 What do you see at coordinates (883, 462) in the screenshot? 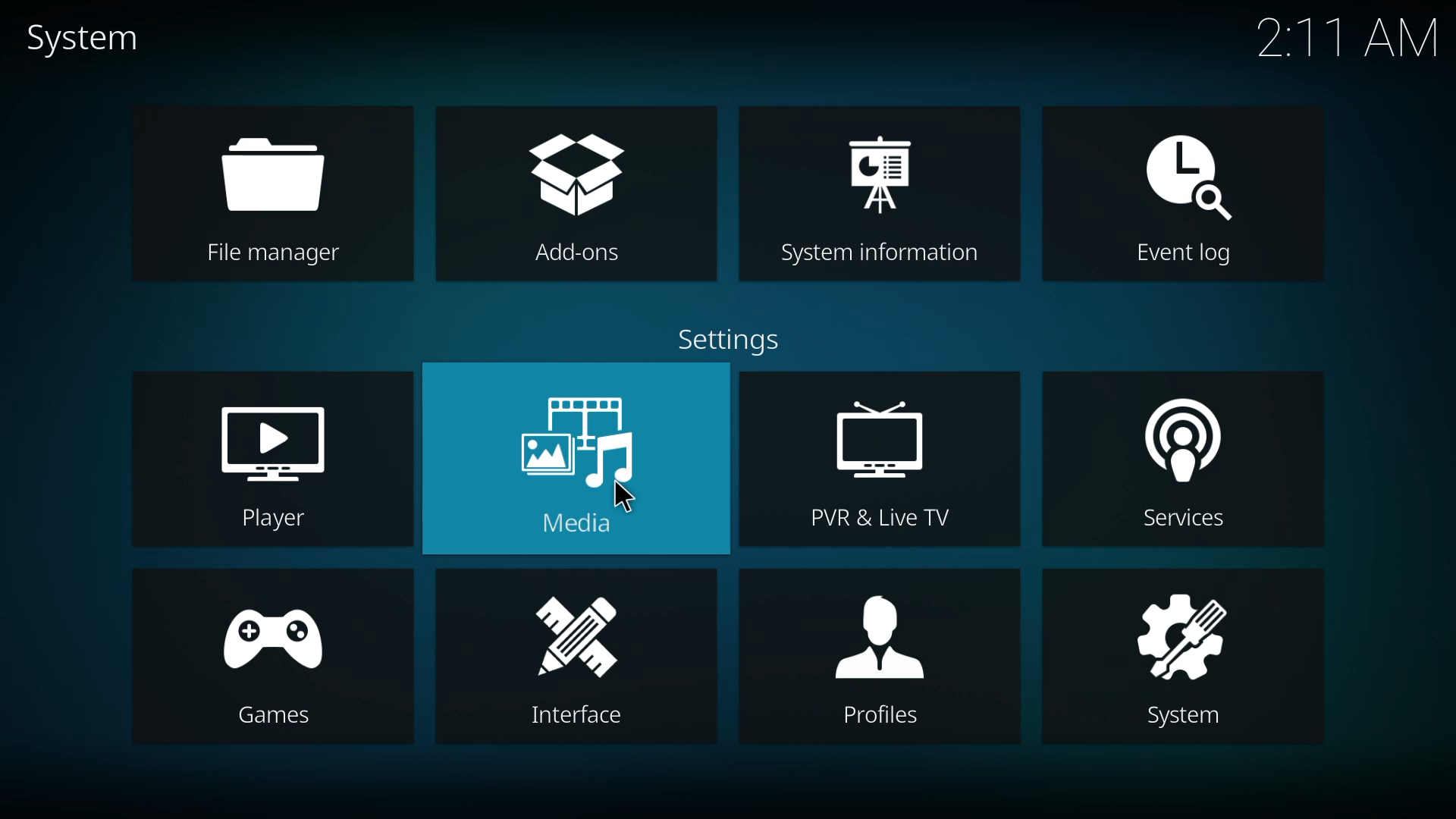
I see `pvr & live tv` at bounding box center [883, 462].